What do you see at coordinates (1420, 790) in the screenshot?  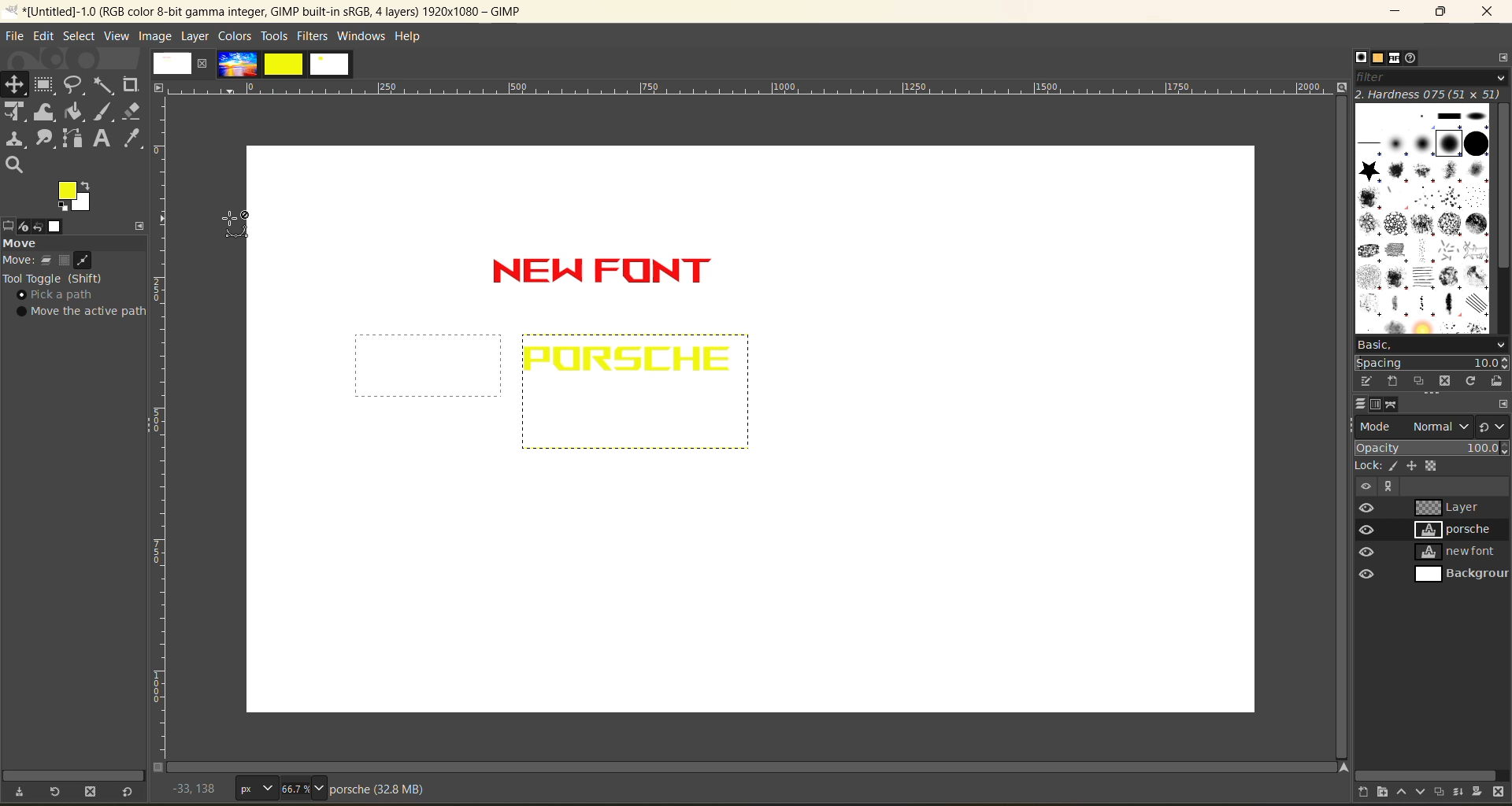 I see `lower the layer` at bounding box center [1420, 790].